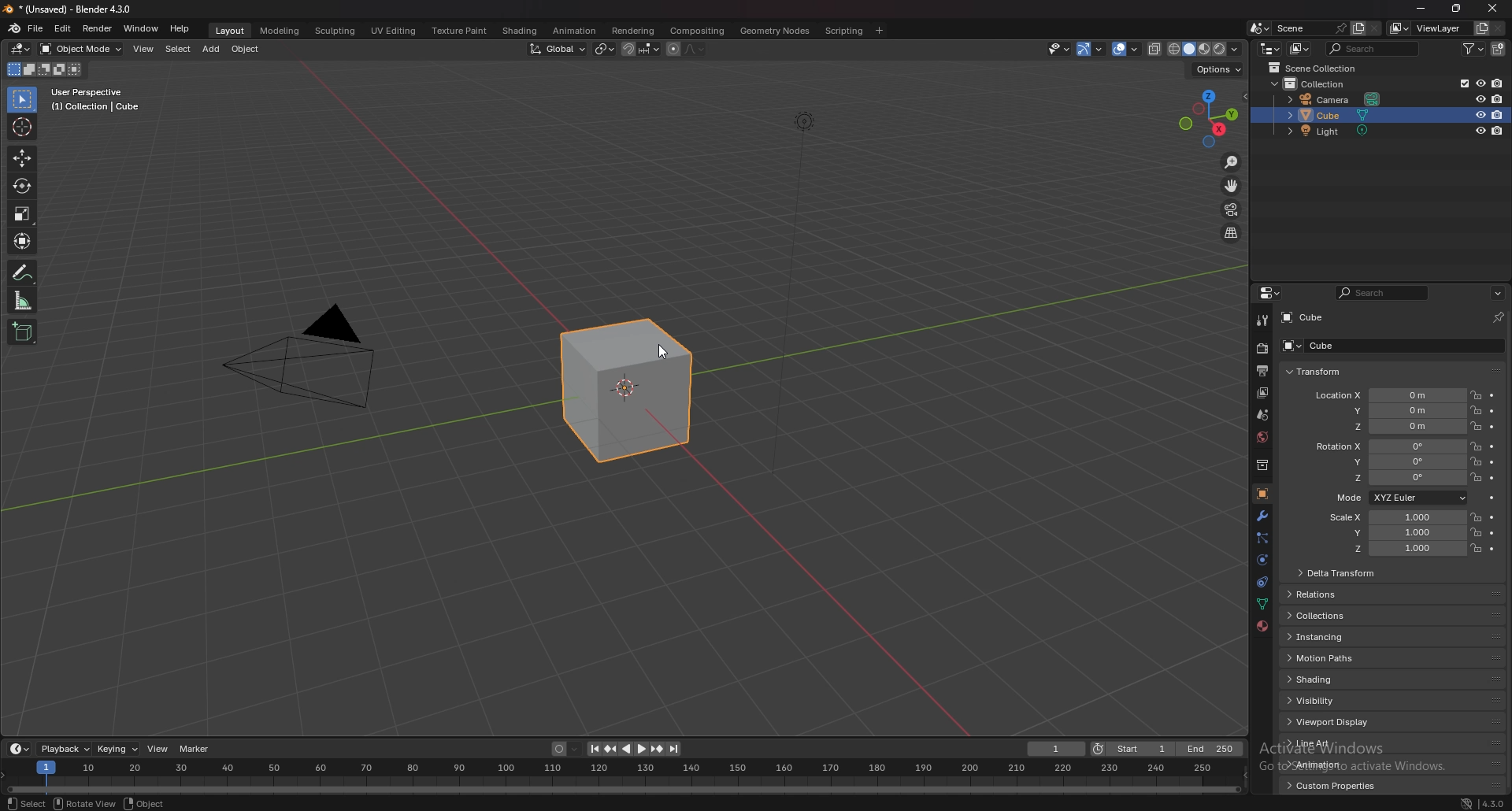 This screenshot has width=1512, height=811. Describe the element at coordinates (1259, 371) in the screenshot. I see `output` at that location.